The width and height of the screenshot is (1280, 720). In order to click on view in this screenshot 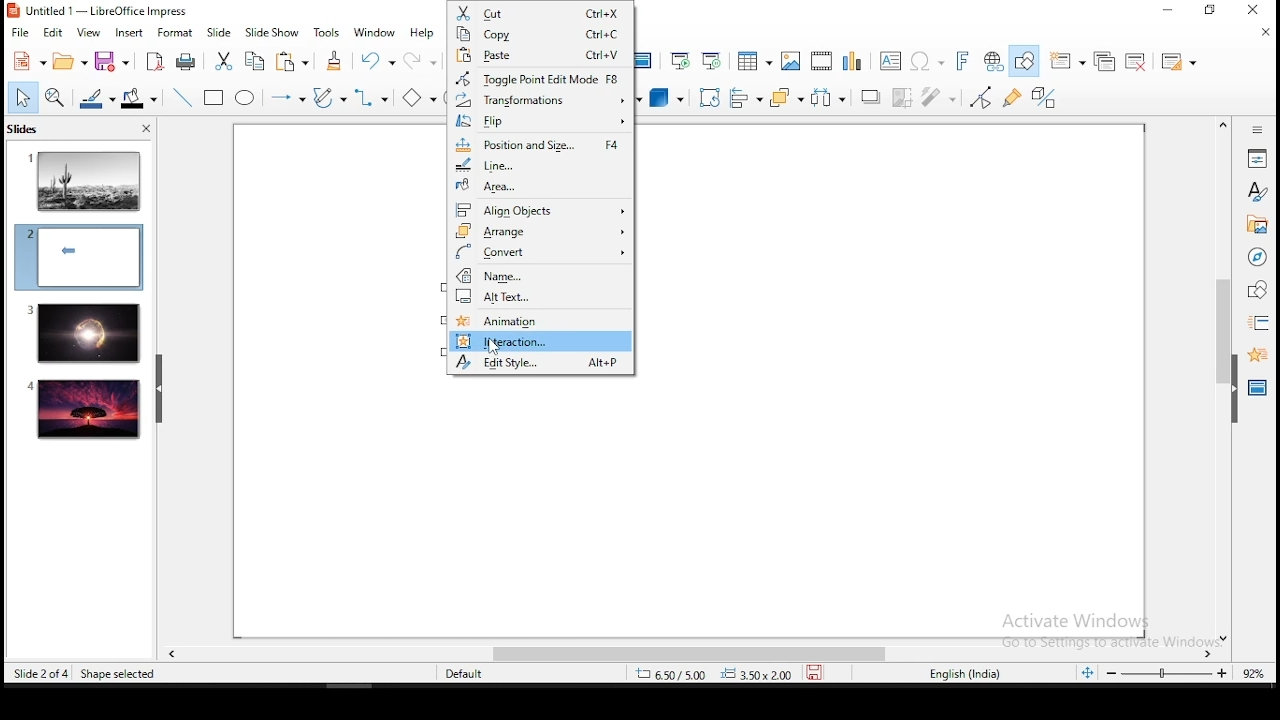, I will do `click(89, 32)`.